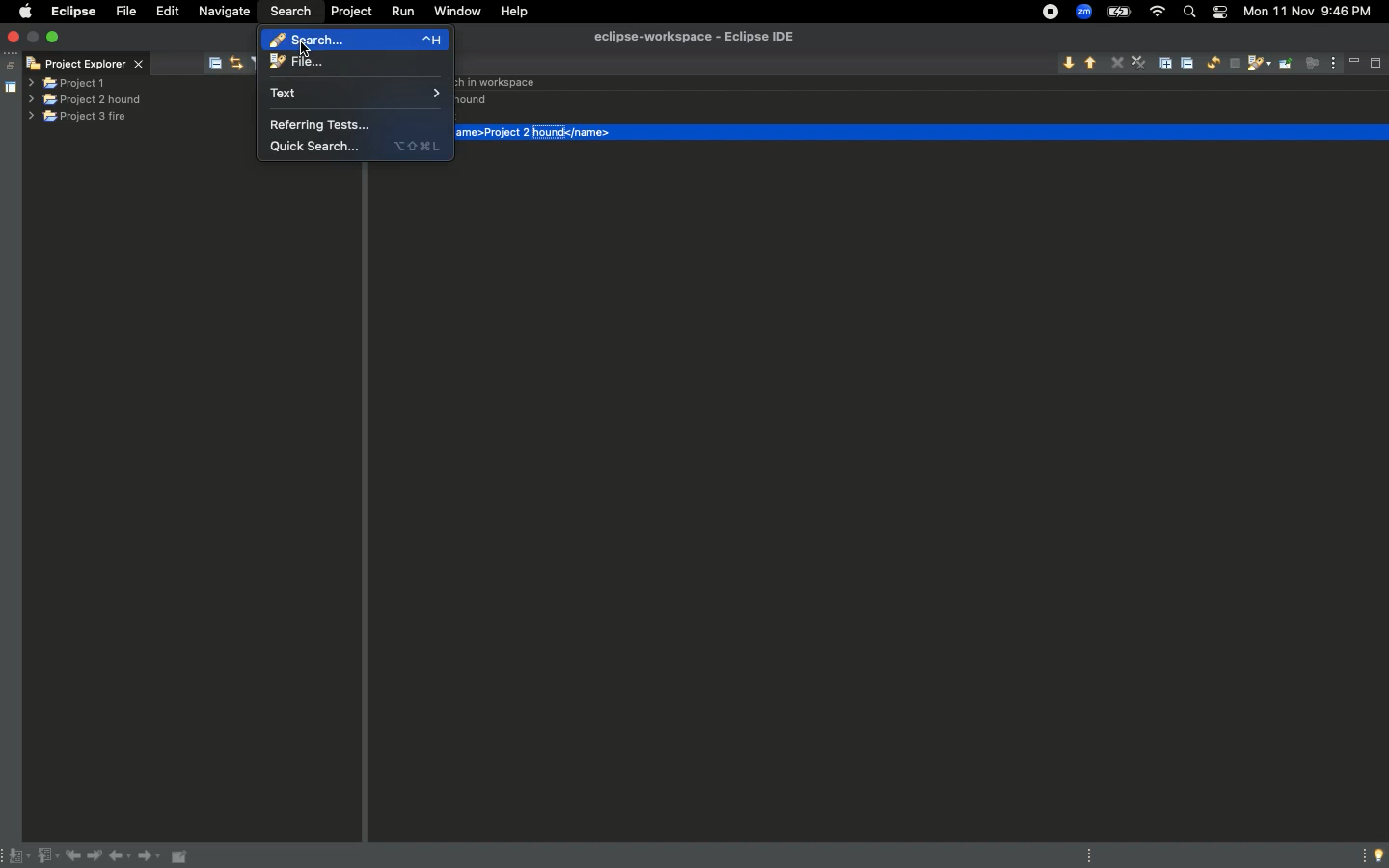 The width and height of the screenshot is (1389, 868). I want to click on collapse all, so click(214, 61).